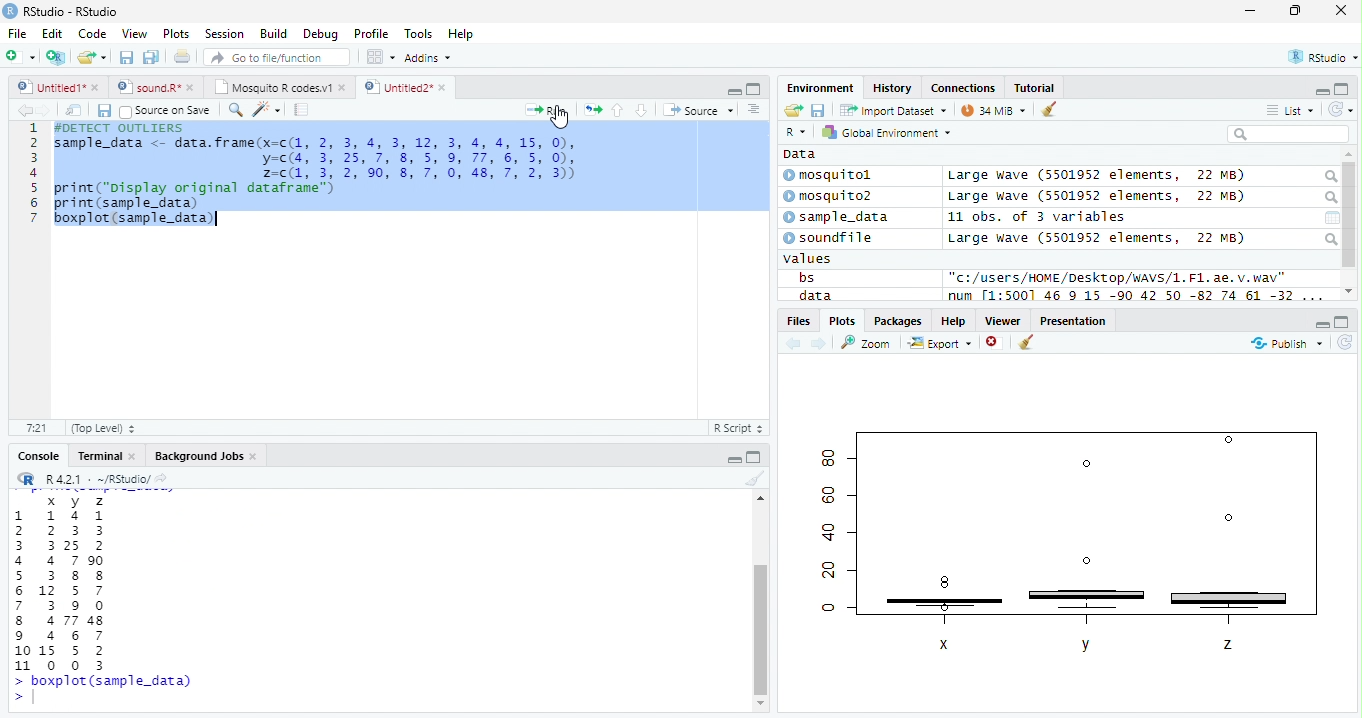 Image resolution: width=1362 pixels, height=718 pixels. What do you see at coordinates (996, 342) in the screenshot?
I see `delete file` at bounding box center [996, 342].